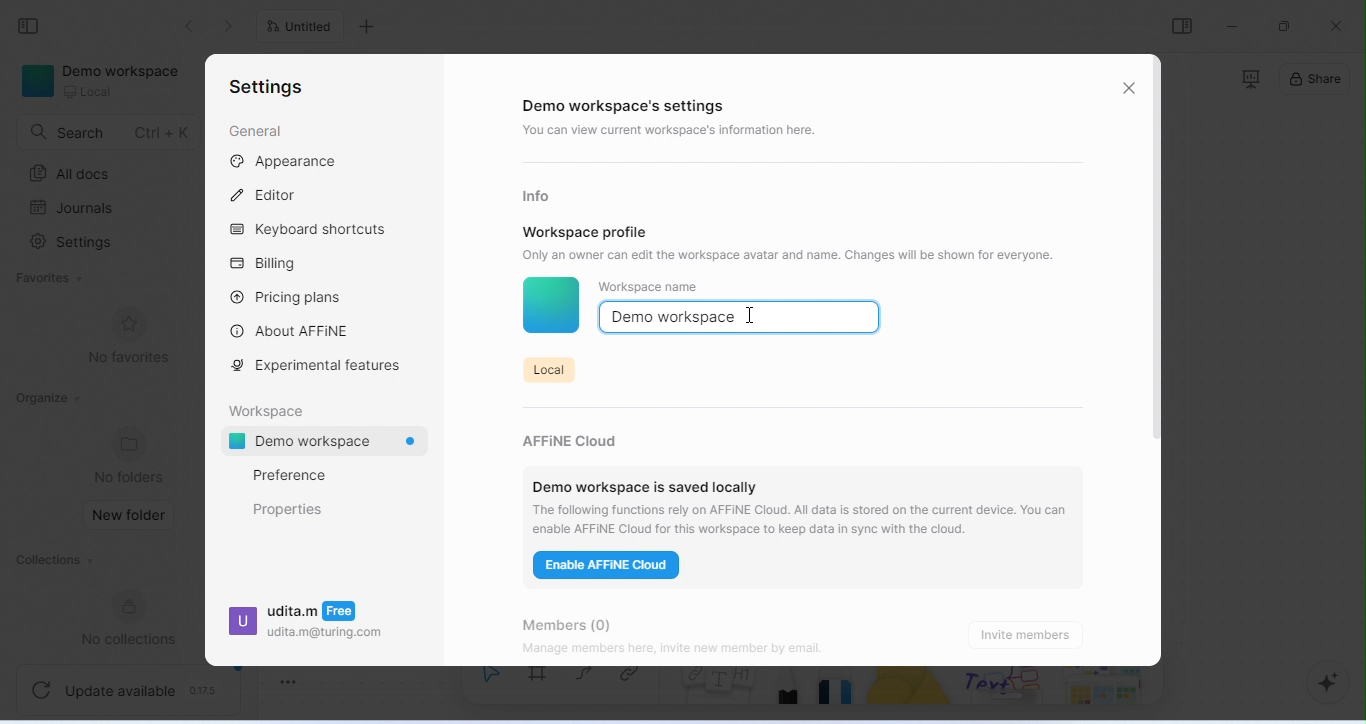  Describe the element at coordinates (1316, 81) in the screenshot. I see `share` at that location.